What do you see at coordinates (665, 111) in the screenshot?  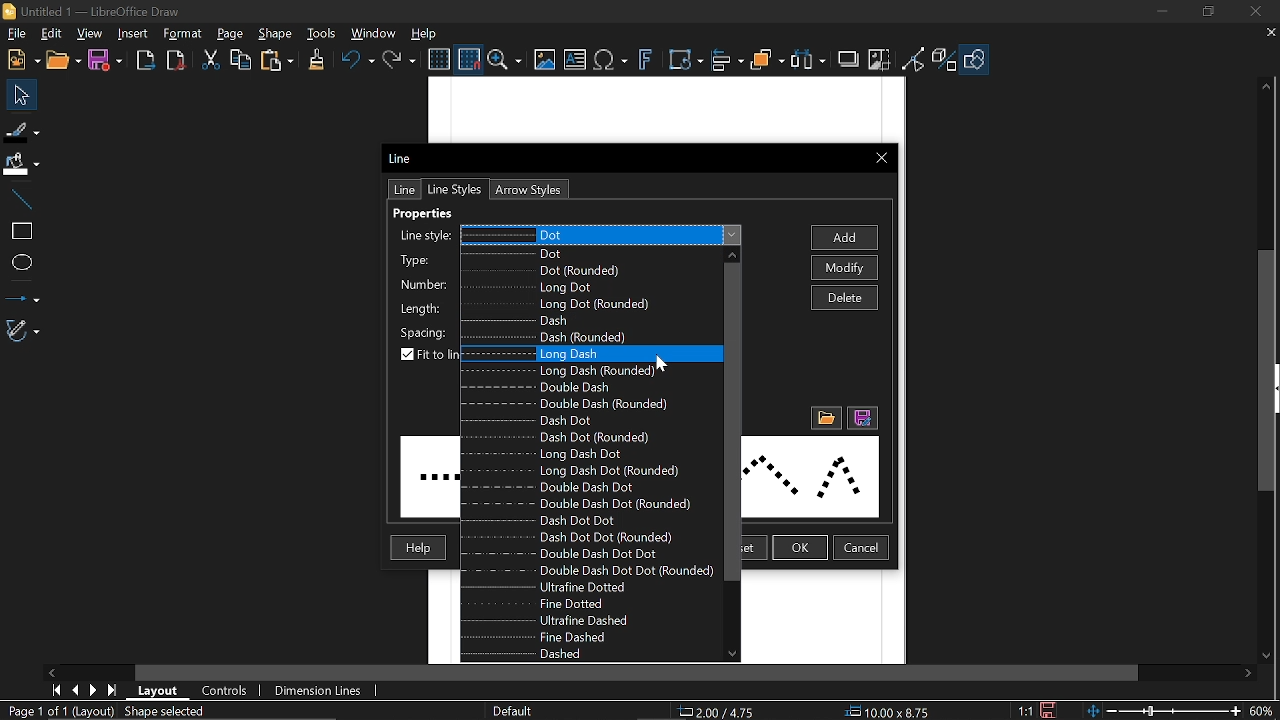 I see `workspace` at bounding box center [665, 111].